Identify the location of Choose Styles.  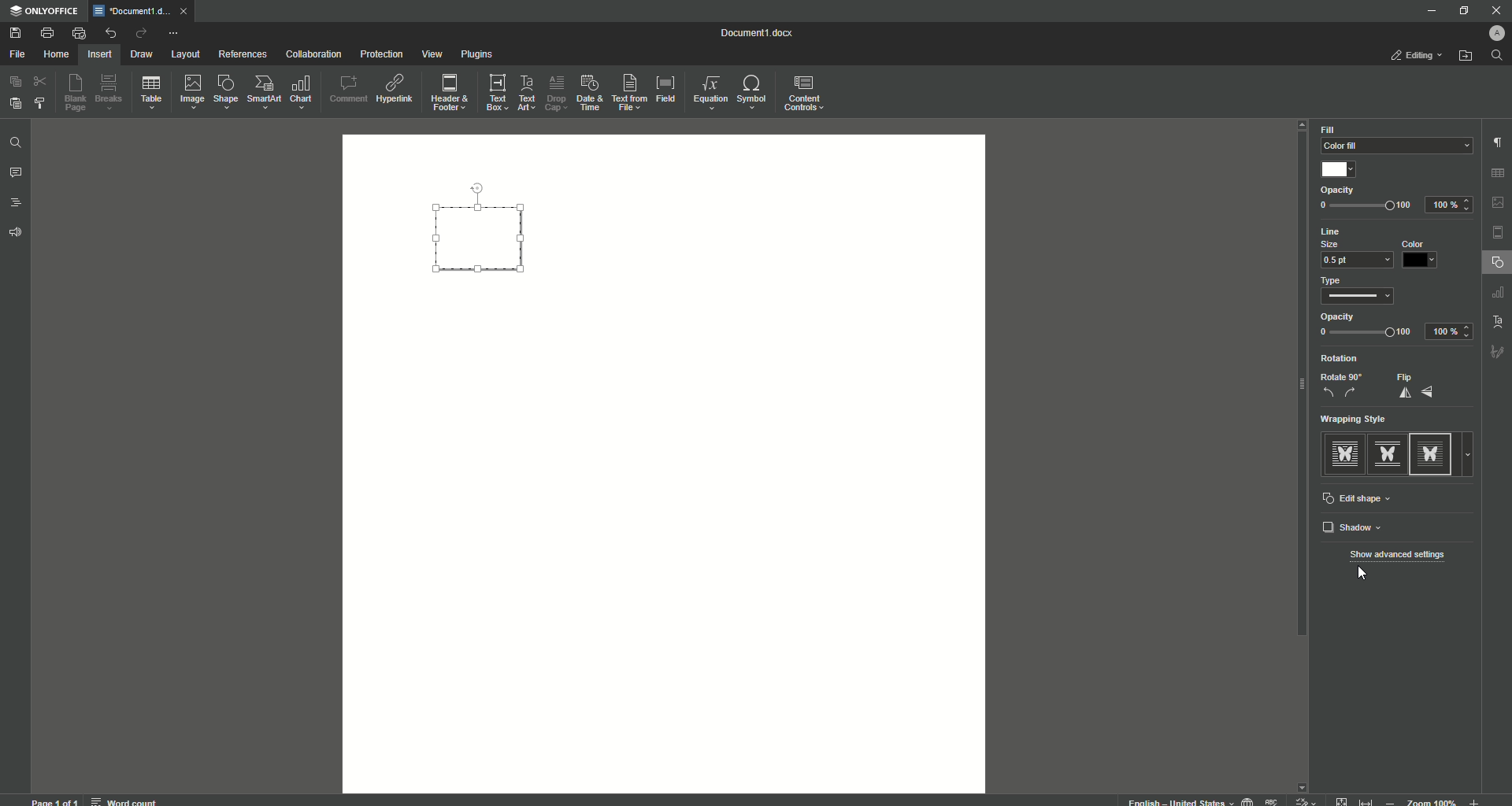
(41, 102).